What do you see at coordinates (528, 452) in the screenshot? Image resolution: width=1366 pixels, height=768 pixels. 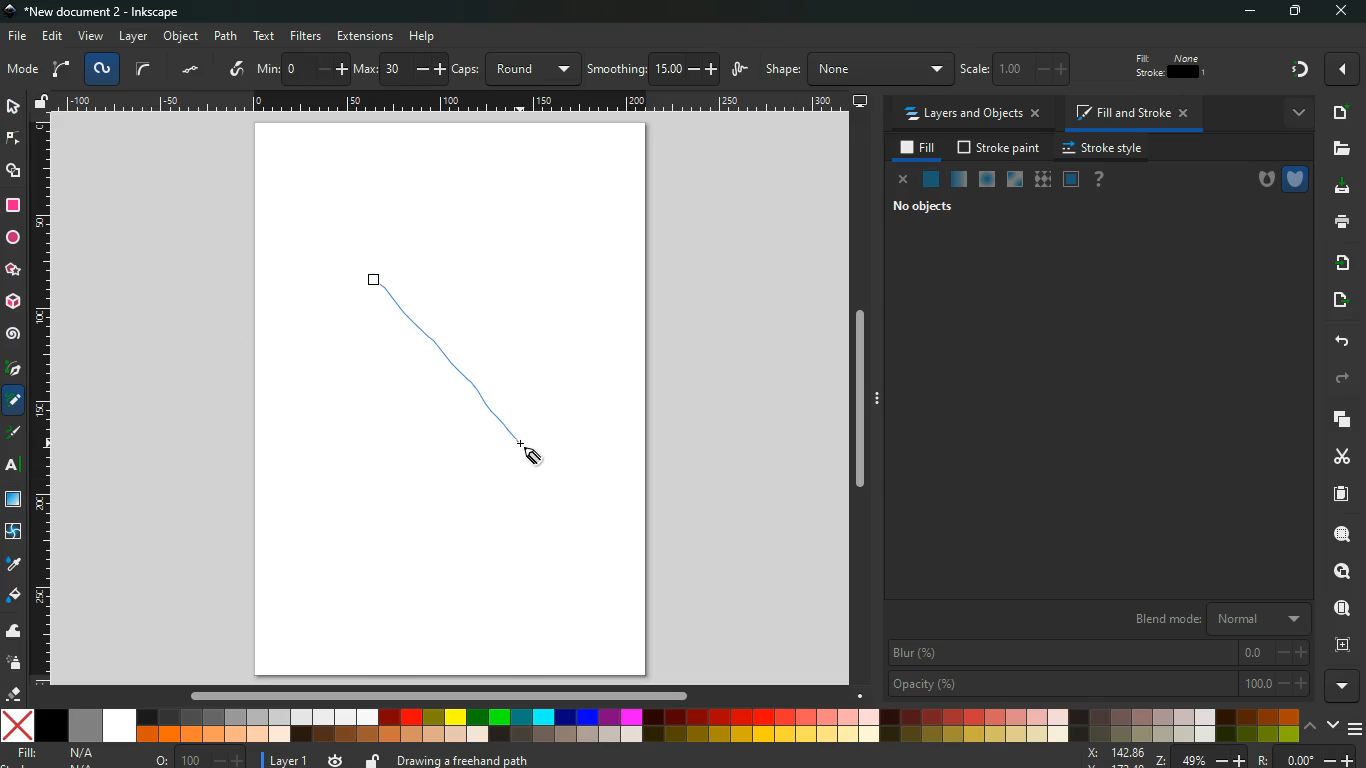 I see `Cursor` at bounding box center [528, 452].